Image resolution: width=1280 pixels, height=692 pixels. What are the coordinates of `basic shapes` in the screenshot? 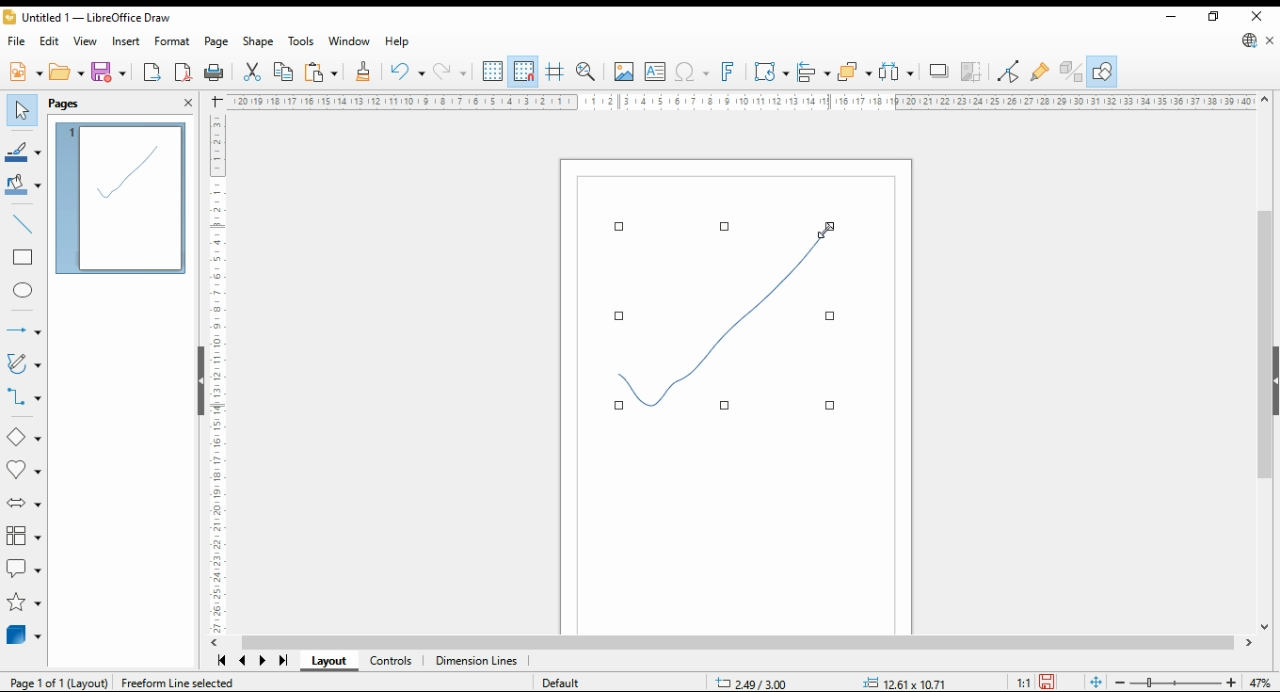 It's located at (23, 435).